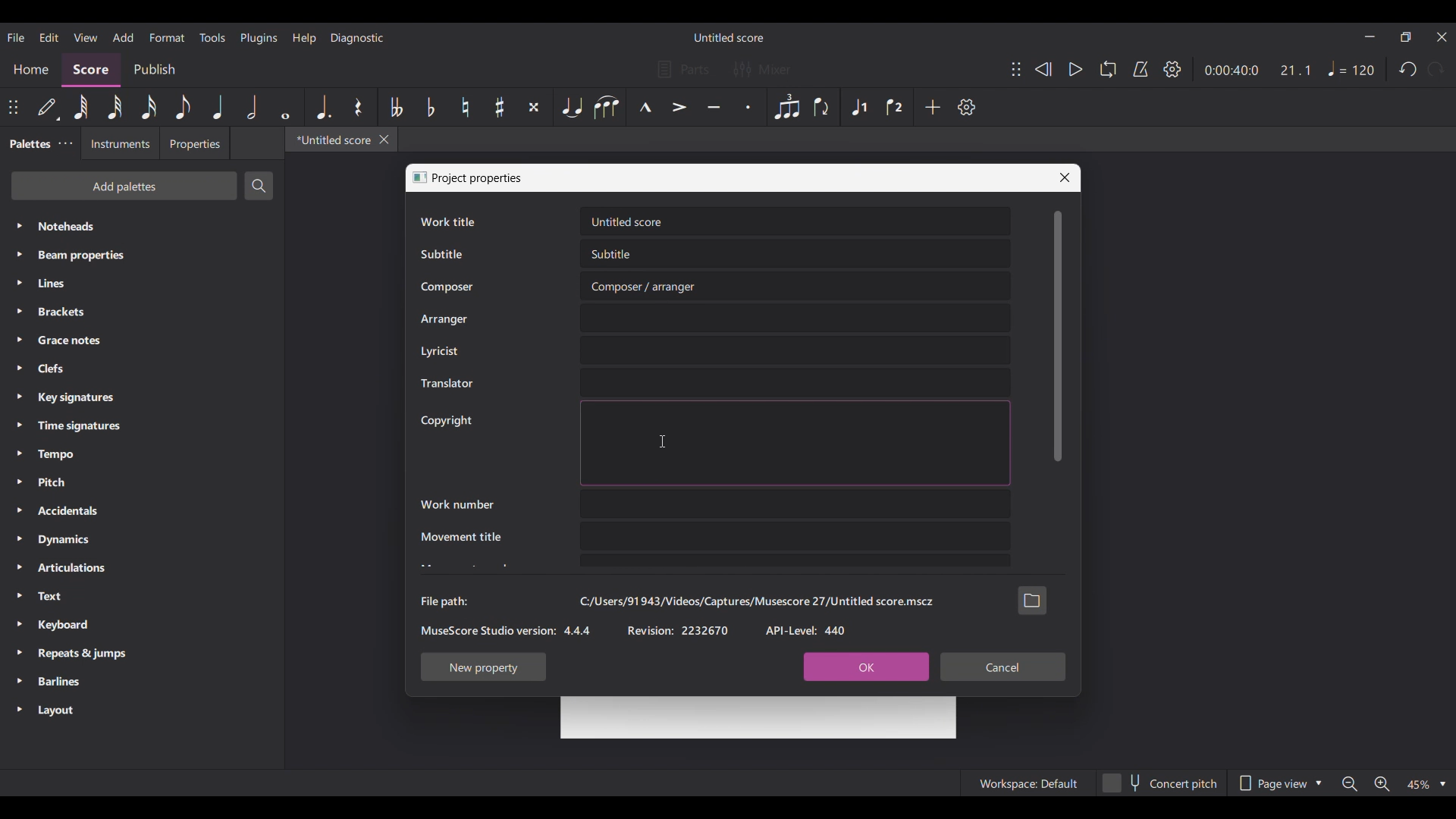 This screenshot has width=1456, height=819. Describe the element at coordinates (1141, 70) in the screenshot. I see `Metronome` at that location.